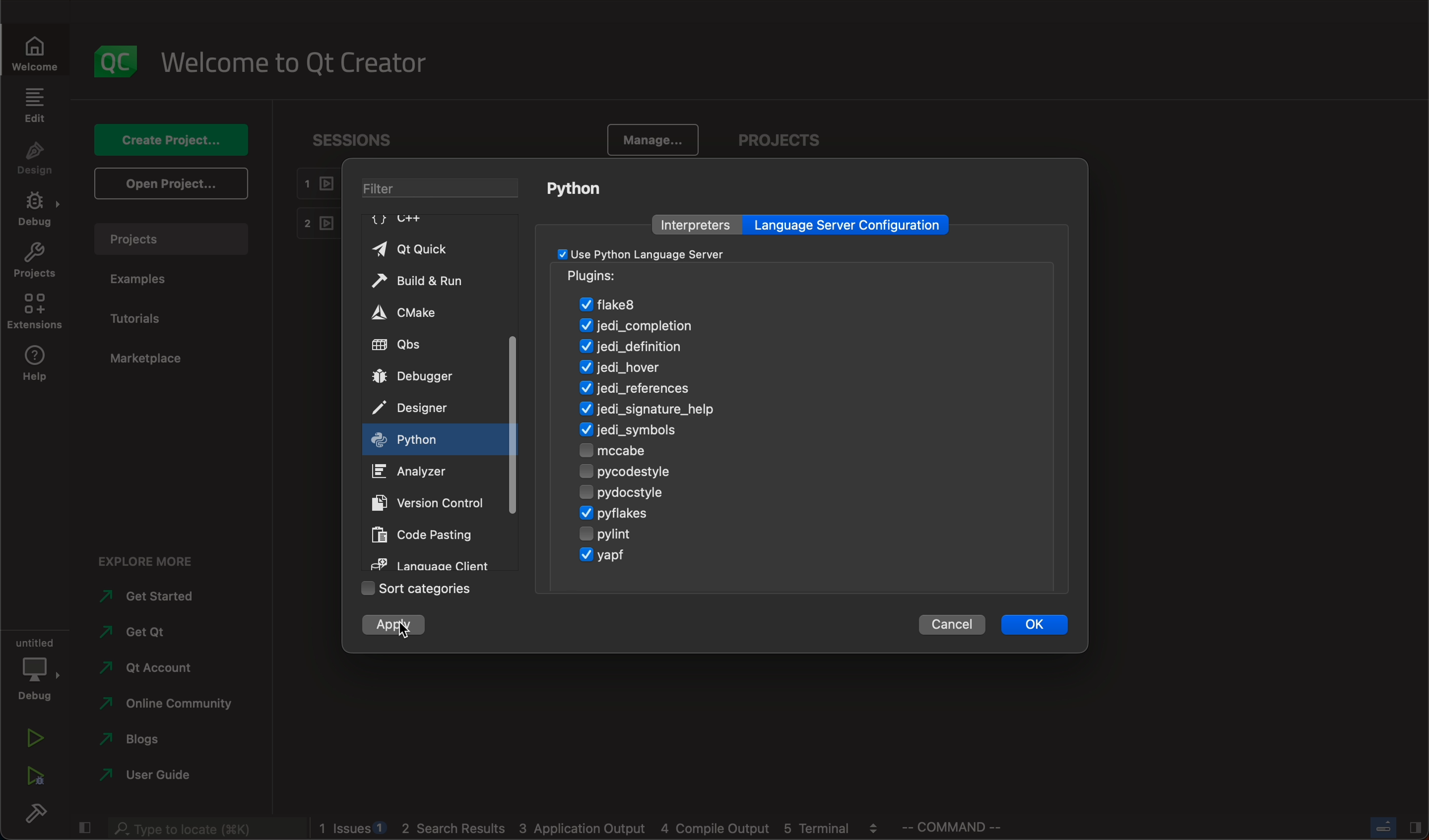  I want to click on definition, so click(653, 346).